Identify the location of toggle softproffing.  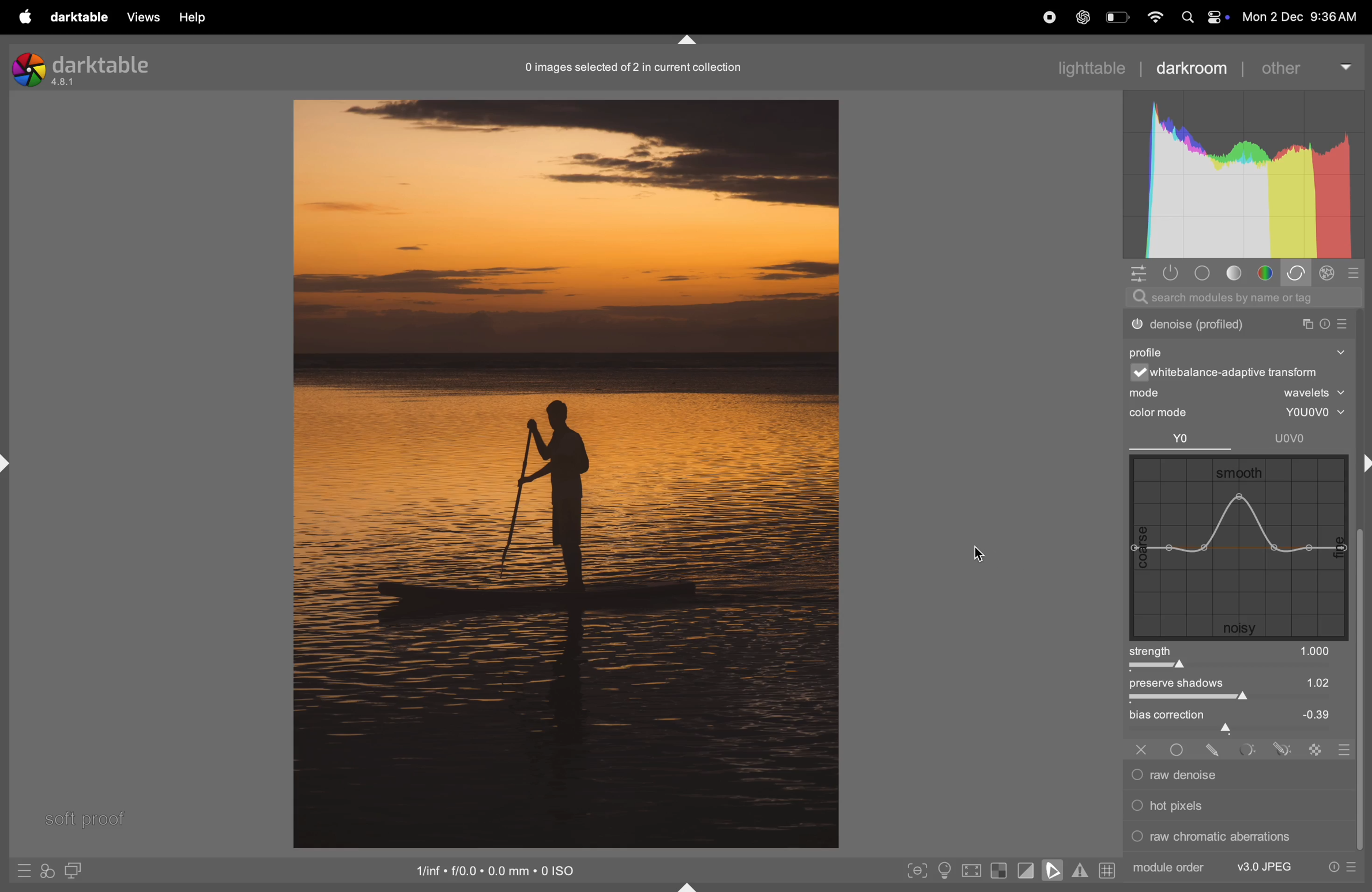
(1053, 872).